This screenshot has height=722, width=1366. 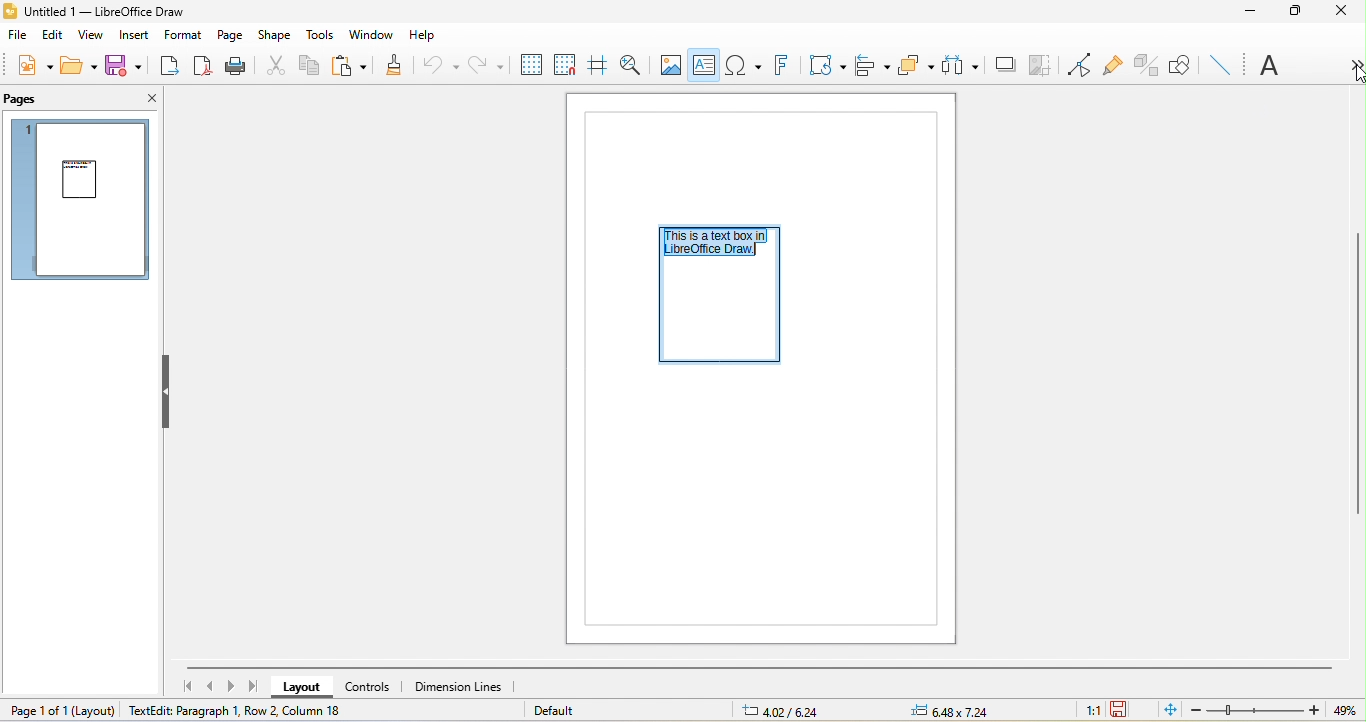 I want to click on help, so click(x=424, y=37).